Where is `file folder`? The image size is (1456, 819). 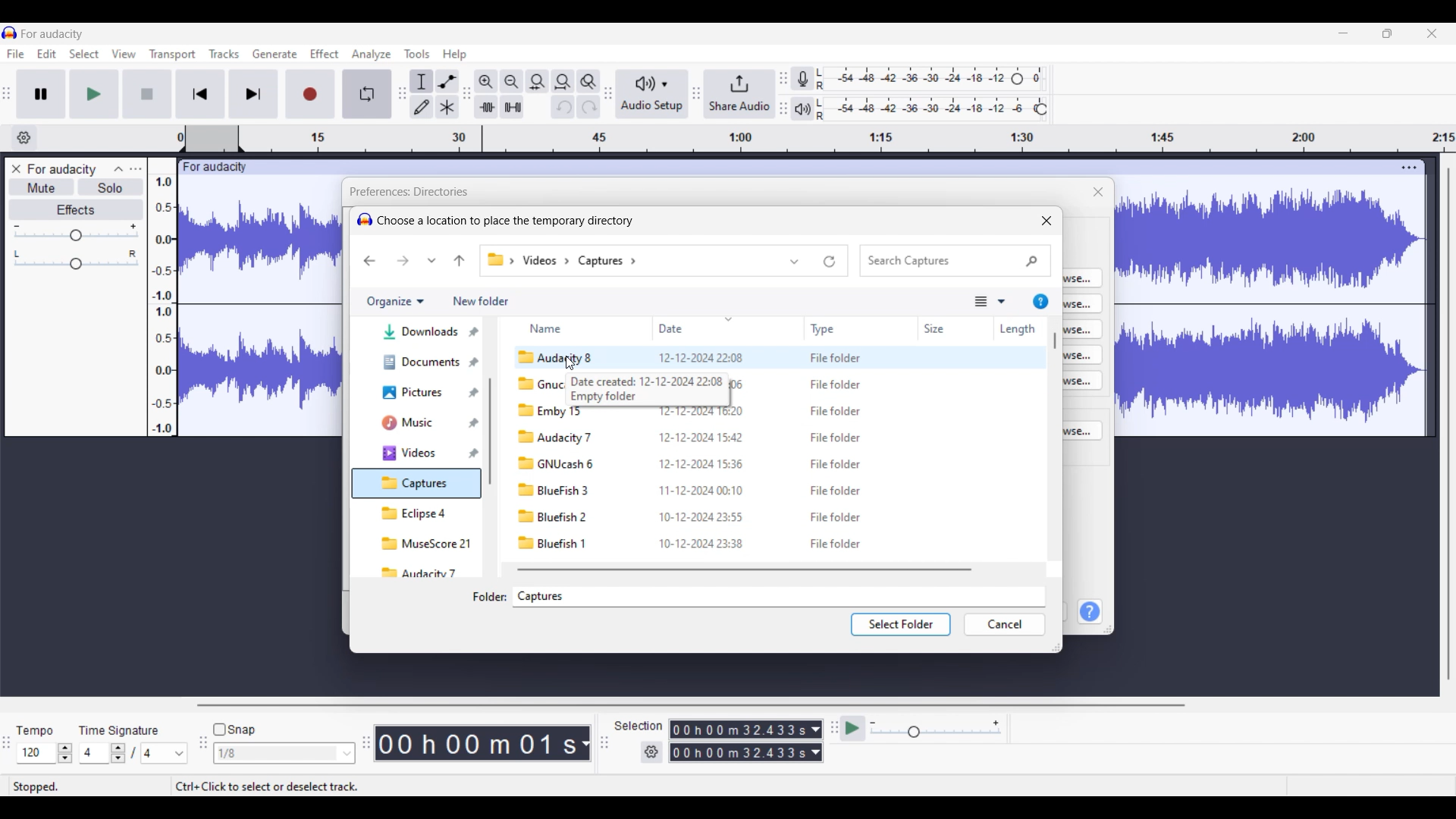
file folder is located at coordinates (836, 411).